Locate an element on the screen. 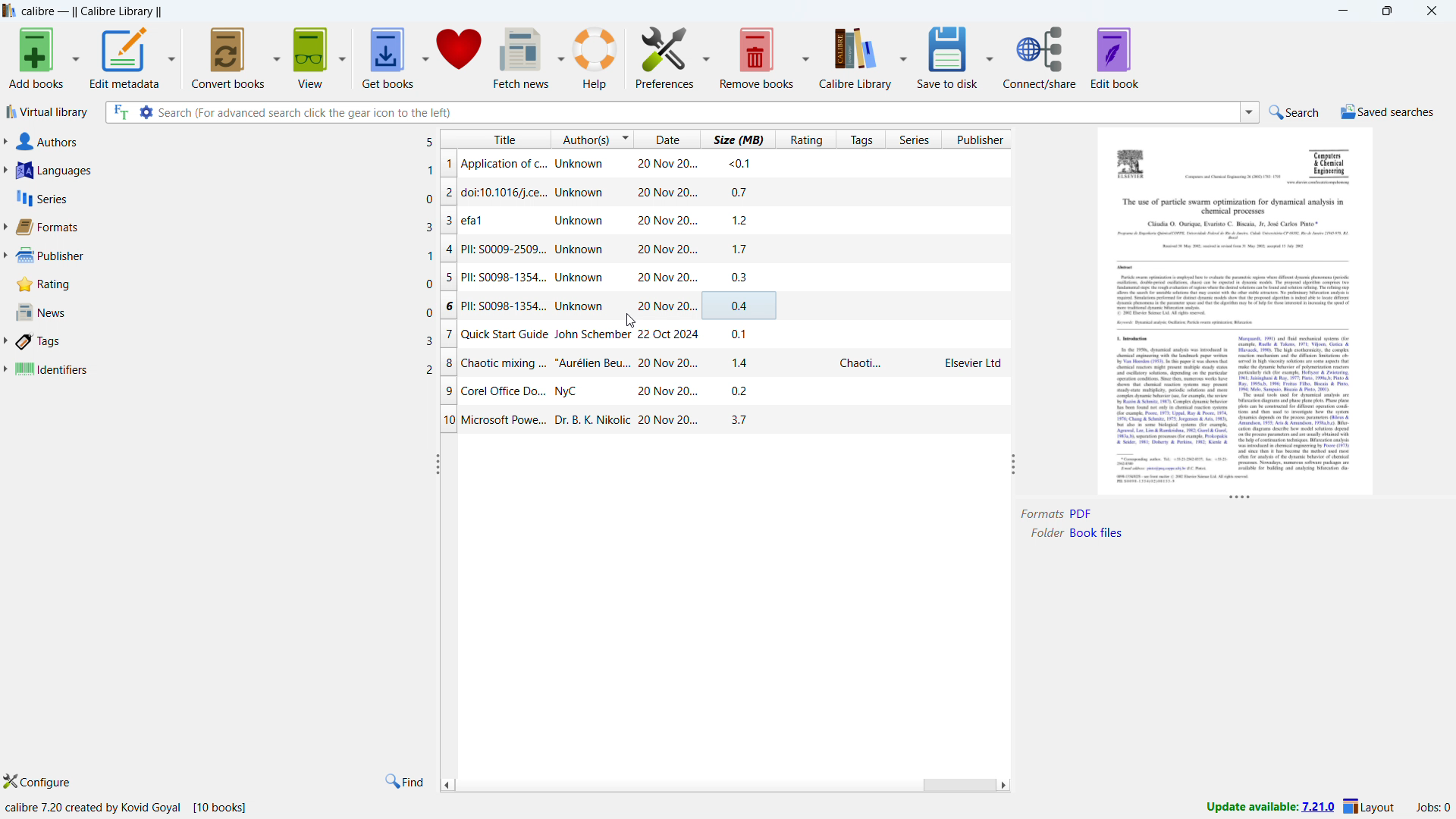 The image size is (1456, 819). add books is located at coordinates (36, 56).